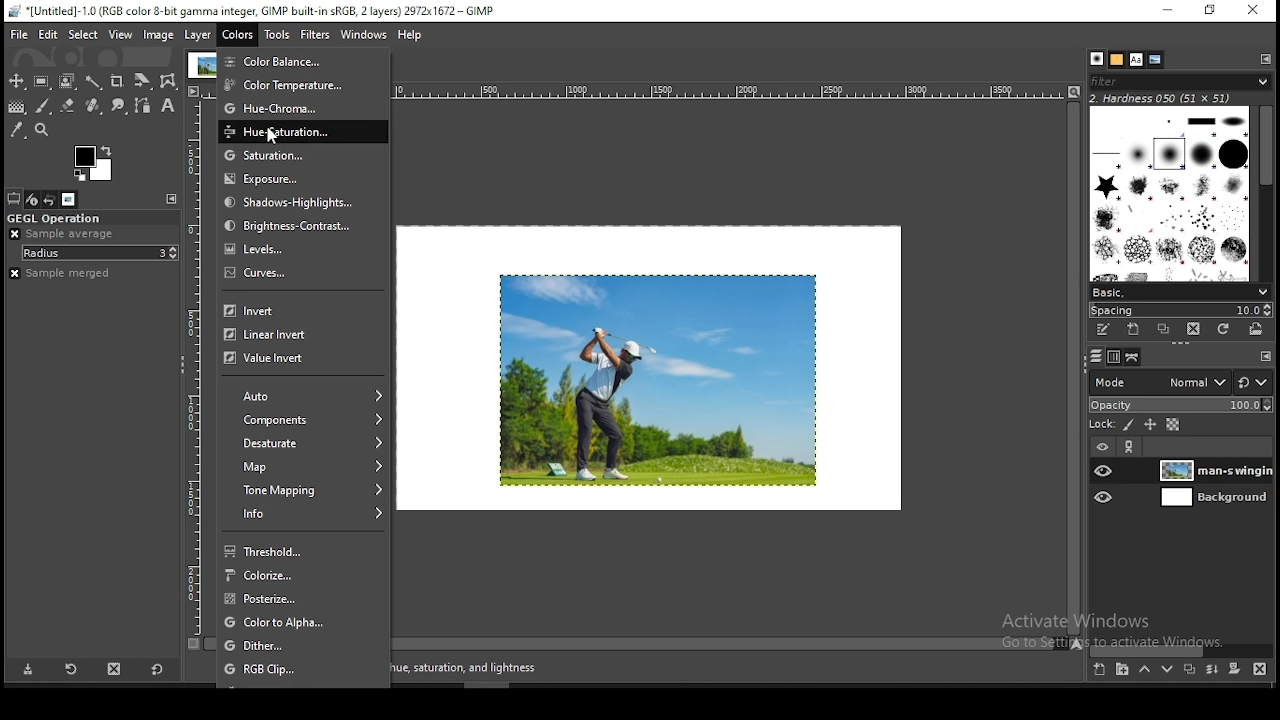 The image size is (1280, 720). Describe the element at coordinates (1212, 670) in the screenshot. I see `merge layer` at that location.